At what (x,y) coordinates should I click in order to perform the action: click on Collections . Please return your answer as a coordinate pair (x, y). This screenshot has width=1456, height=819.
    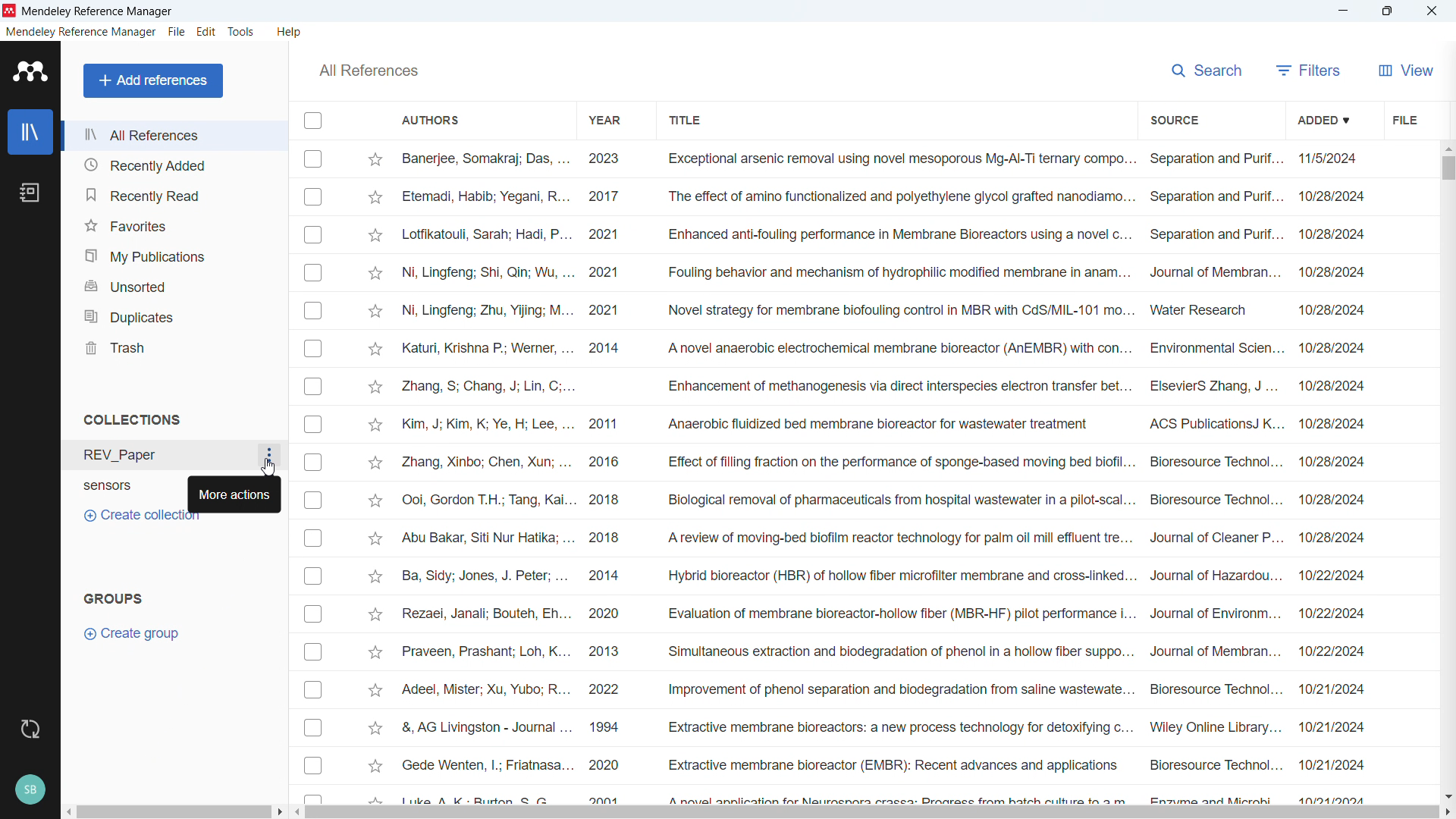
    Looking at the image, I should click on (133, 420).